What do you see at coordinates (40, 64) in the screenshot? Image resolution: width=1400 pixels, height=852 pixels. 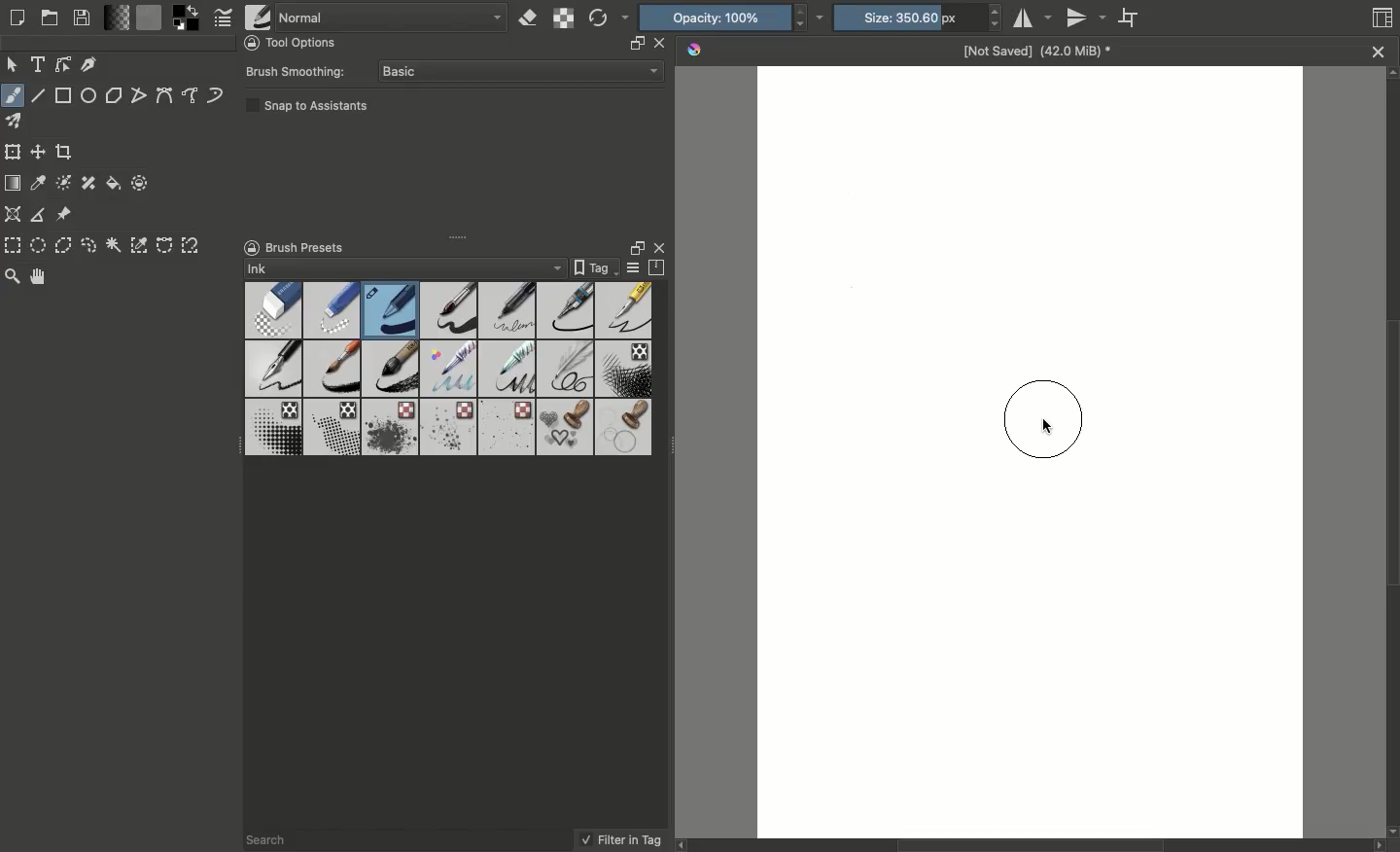 I see `Text` at bounding box center [40, 64].